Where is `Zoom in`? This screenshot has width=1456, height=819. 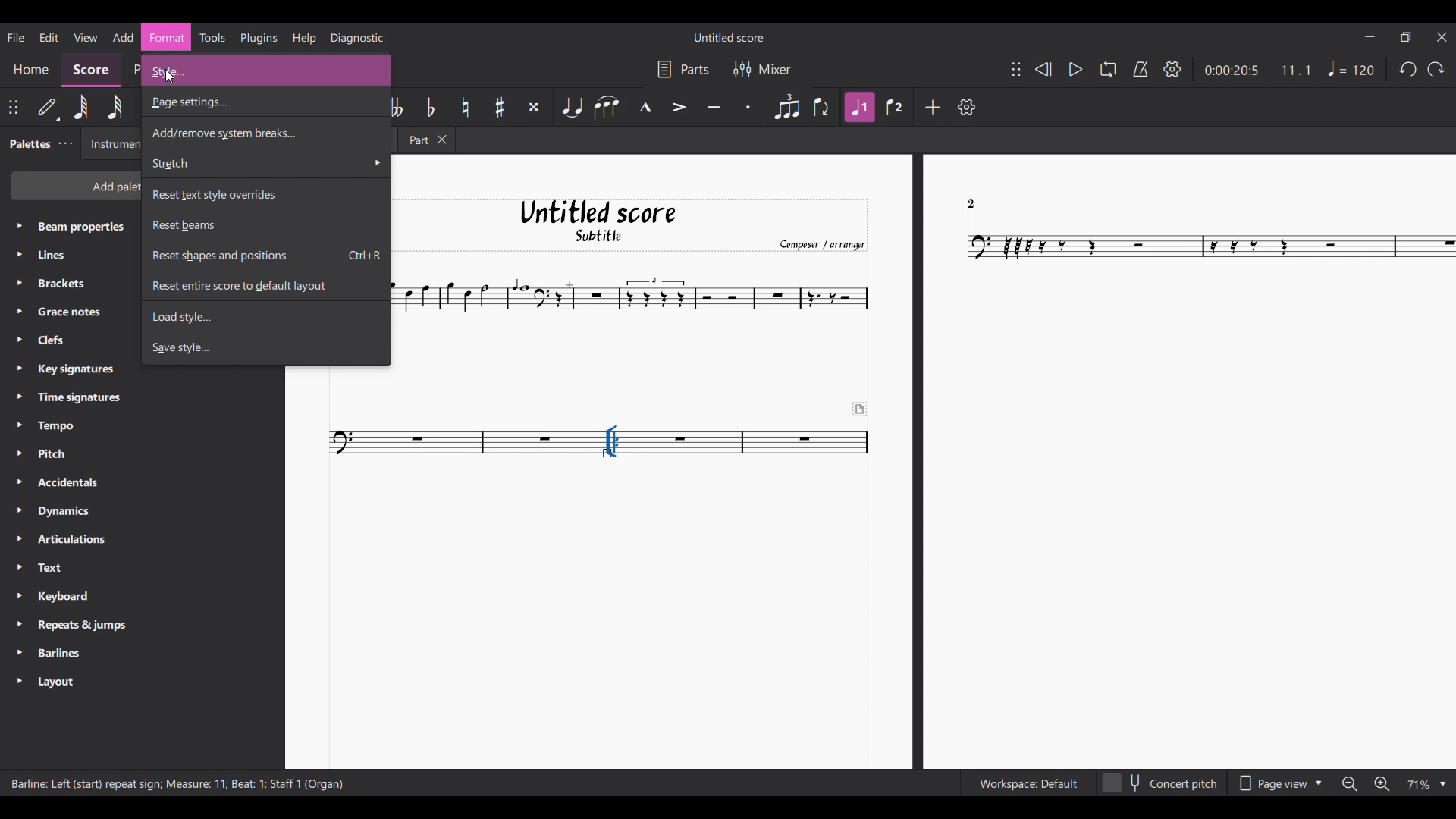 Zoom in is located at coordinates (1382, 783).